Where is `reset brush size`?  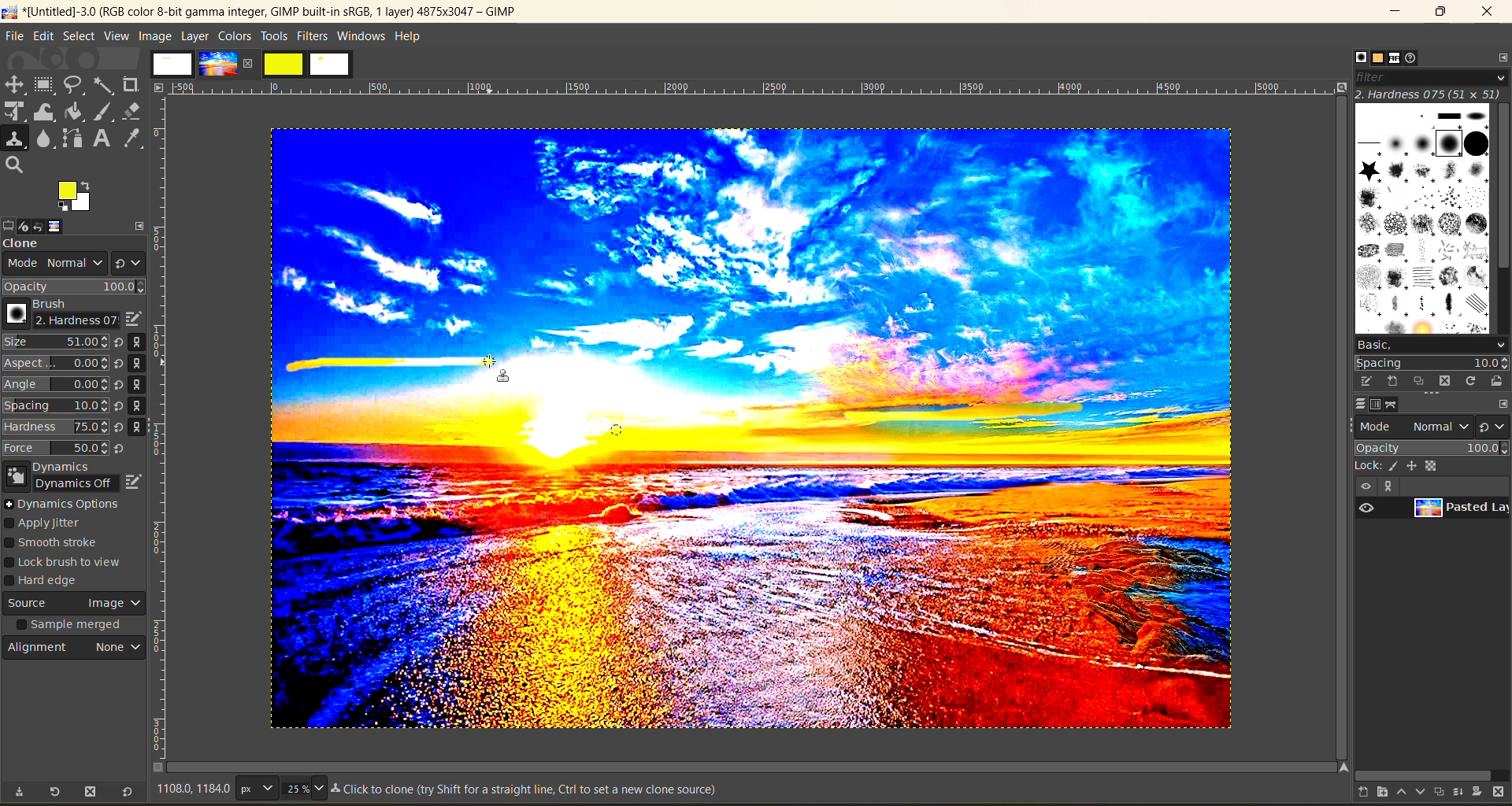
reset brush size is located at coordinates (121, 396).